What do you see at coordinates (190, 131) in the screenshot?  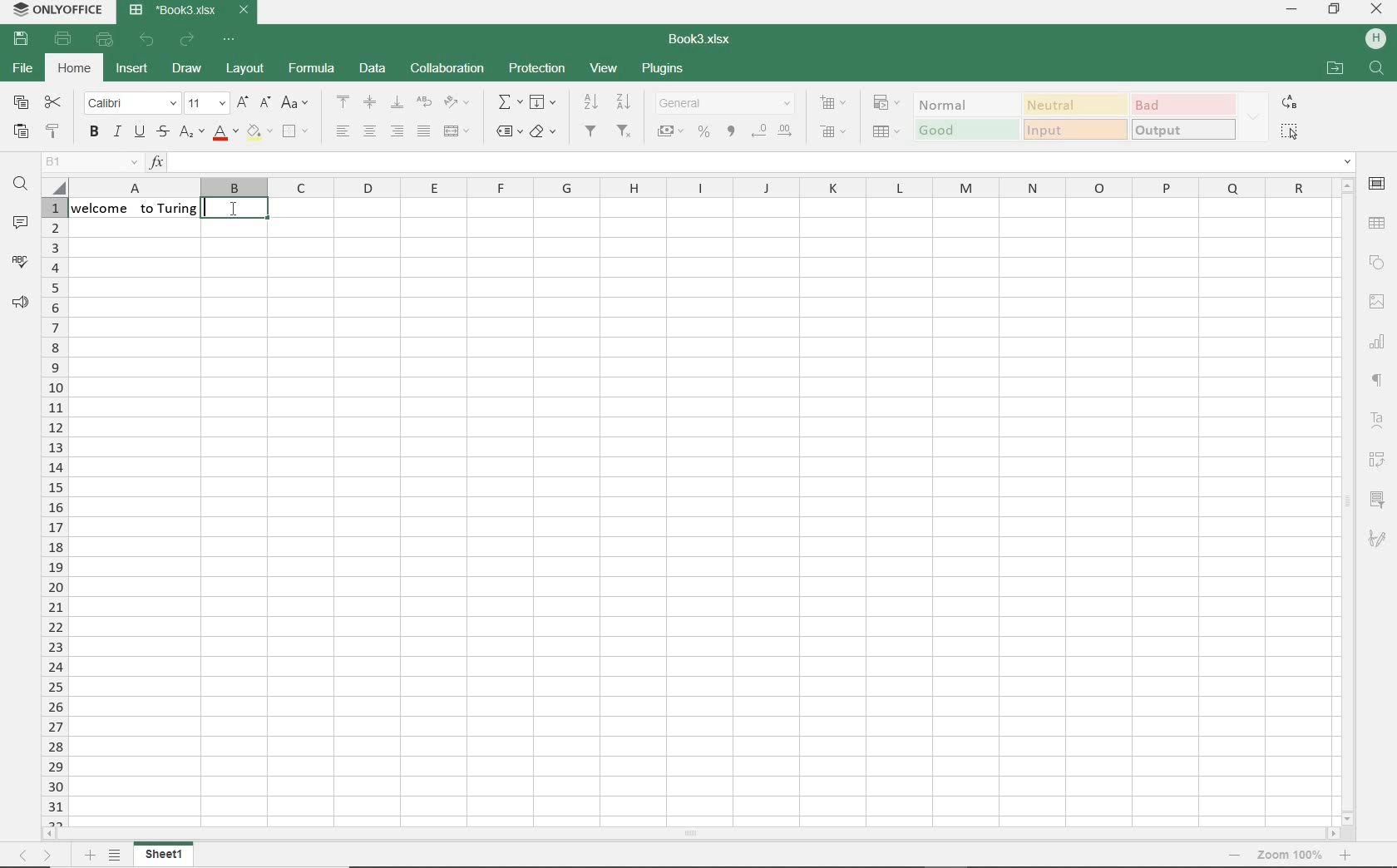 I see `subscript/superscript` at bounding box center [190, 131].